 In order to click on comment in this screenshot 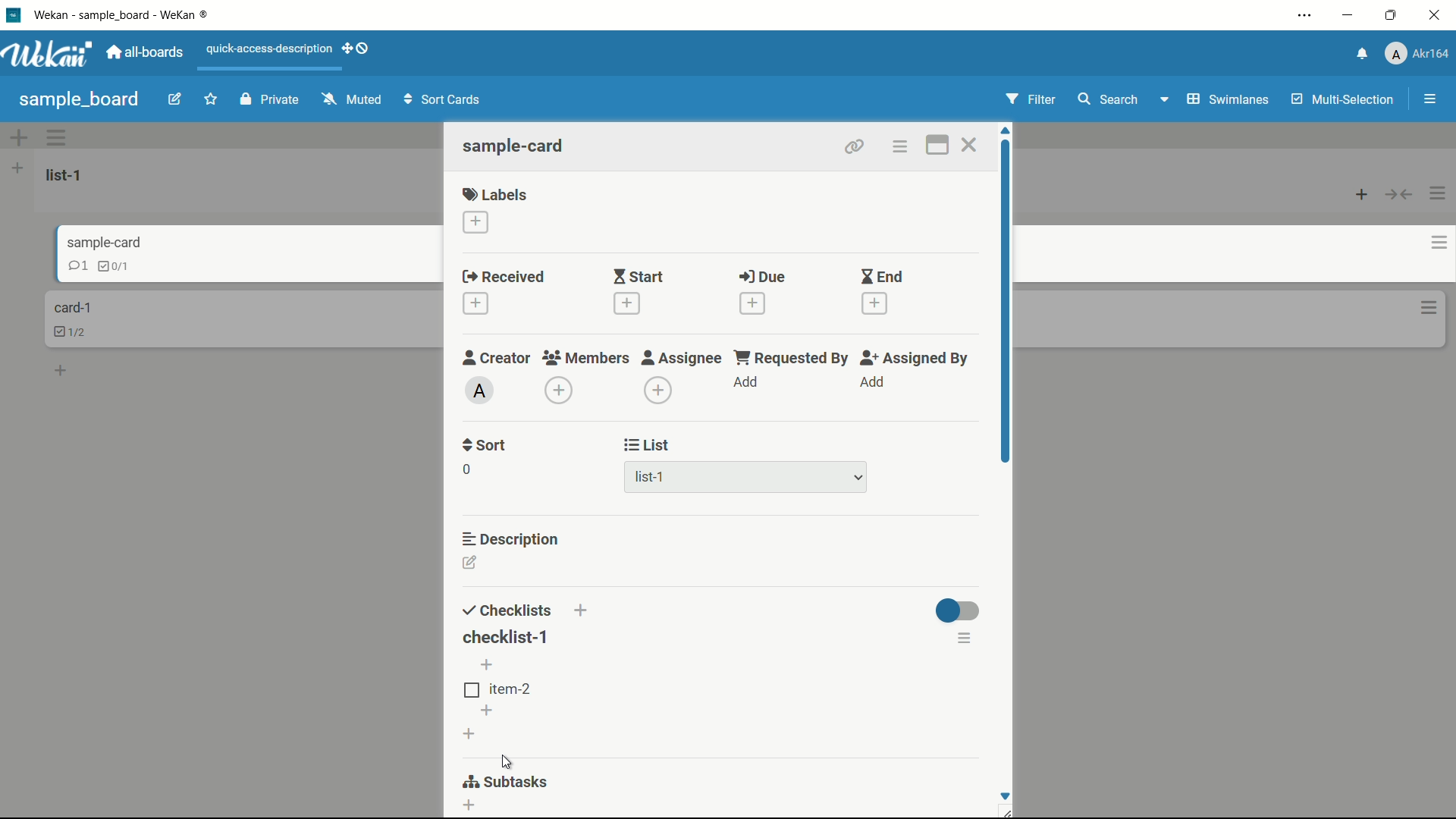, I will do `click(65, 268)`.